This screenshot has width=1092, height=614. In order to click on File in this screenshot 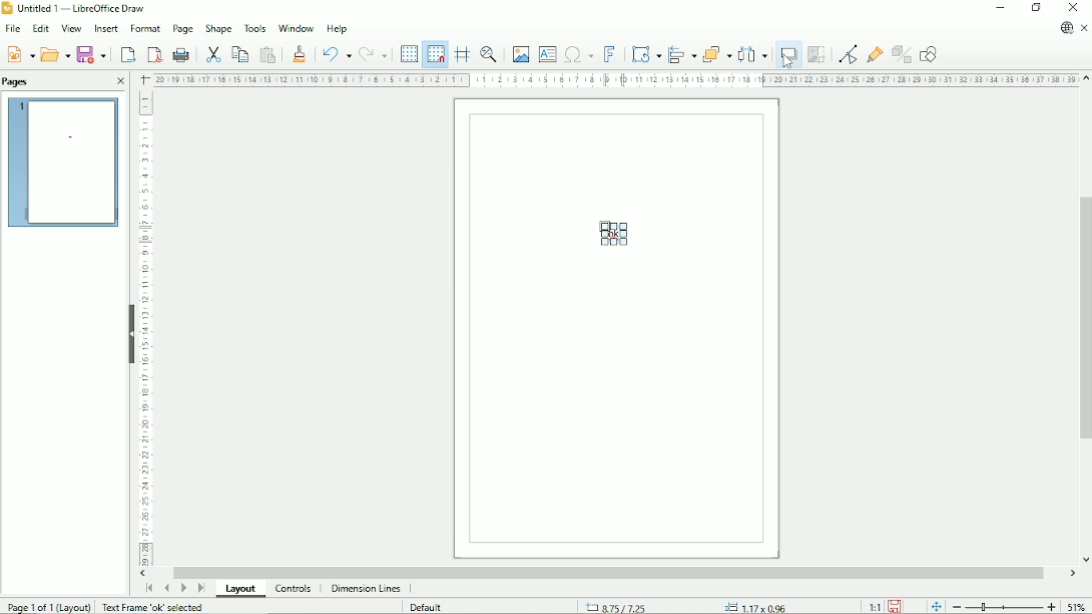, I will do `click(11, 29)`.